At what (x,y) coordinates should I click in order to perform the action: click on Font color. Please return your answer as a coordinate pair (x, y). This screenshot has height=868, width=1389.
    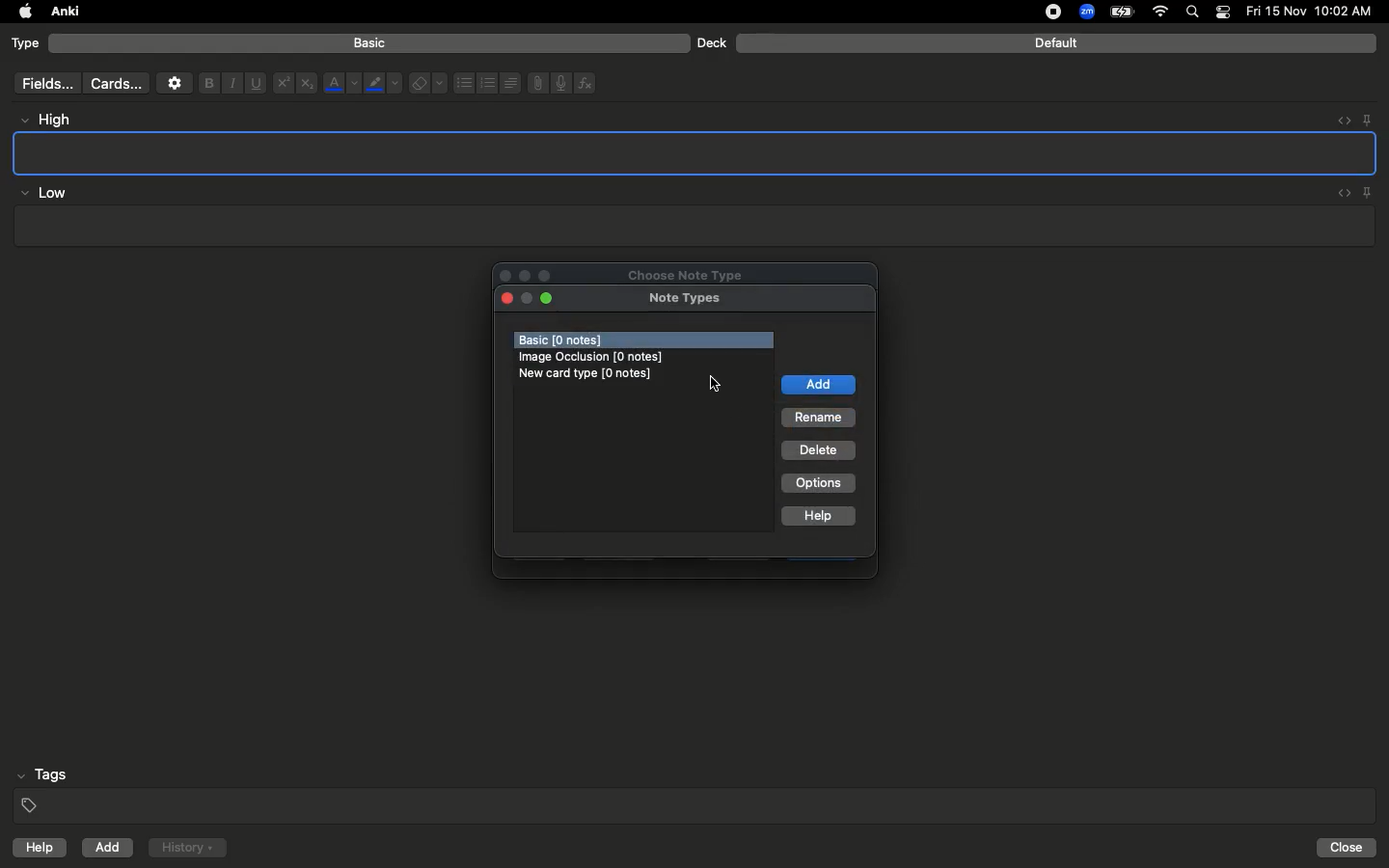
    Looking at the image, I should click on (340, 83).